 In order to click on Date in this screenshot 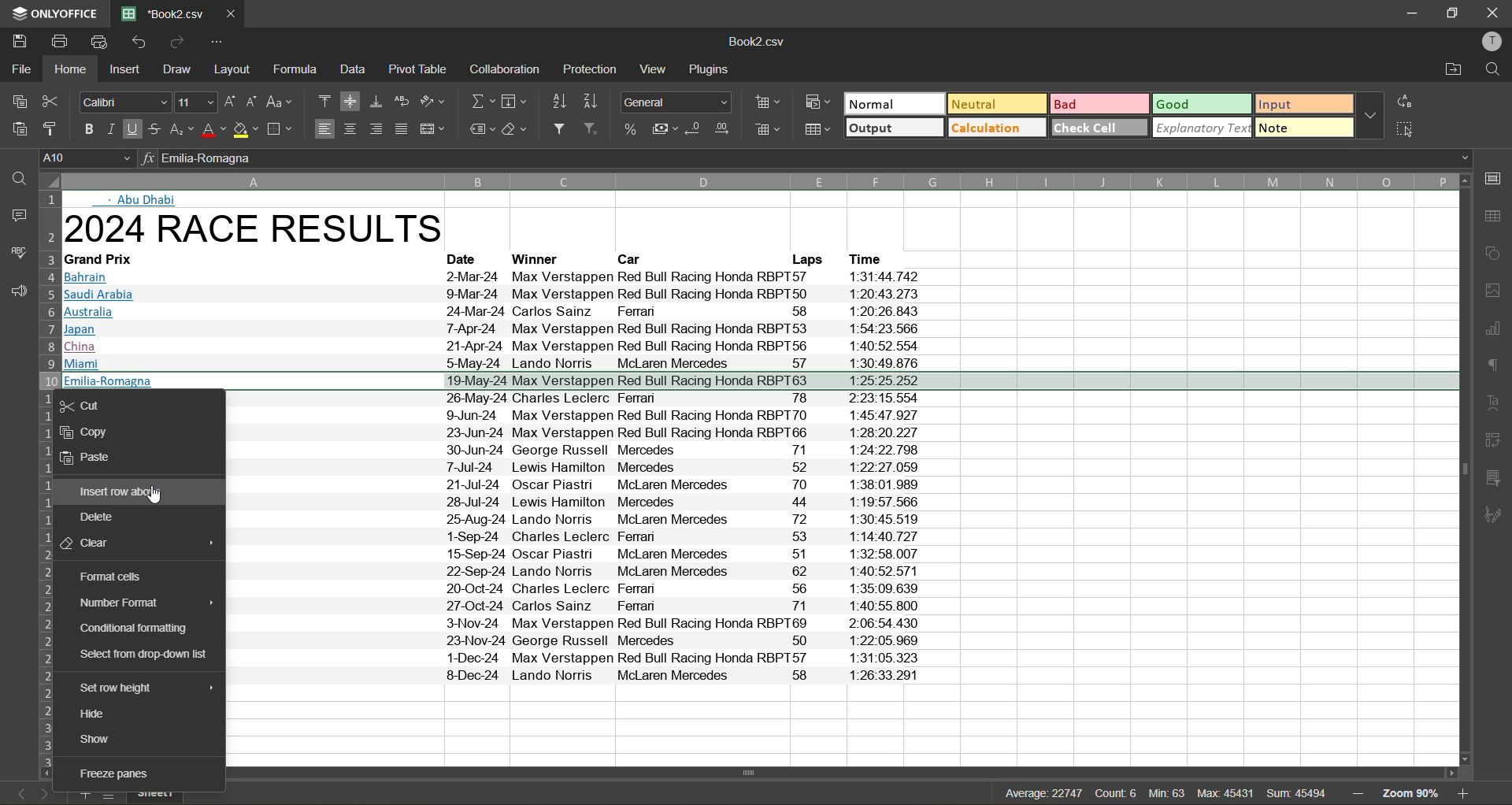, I will do `click(467, 258)`.